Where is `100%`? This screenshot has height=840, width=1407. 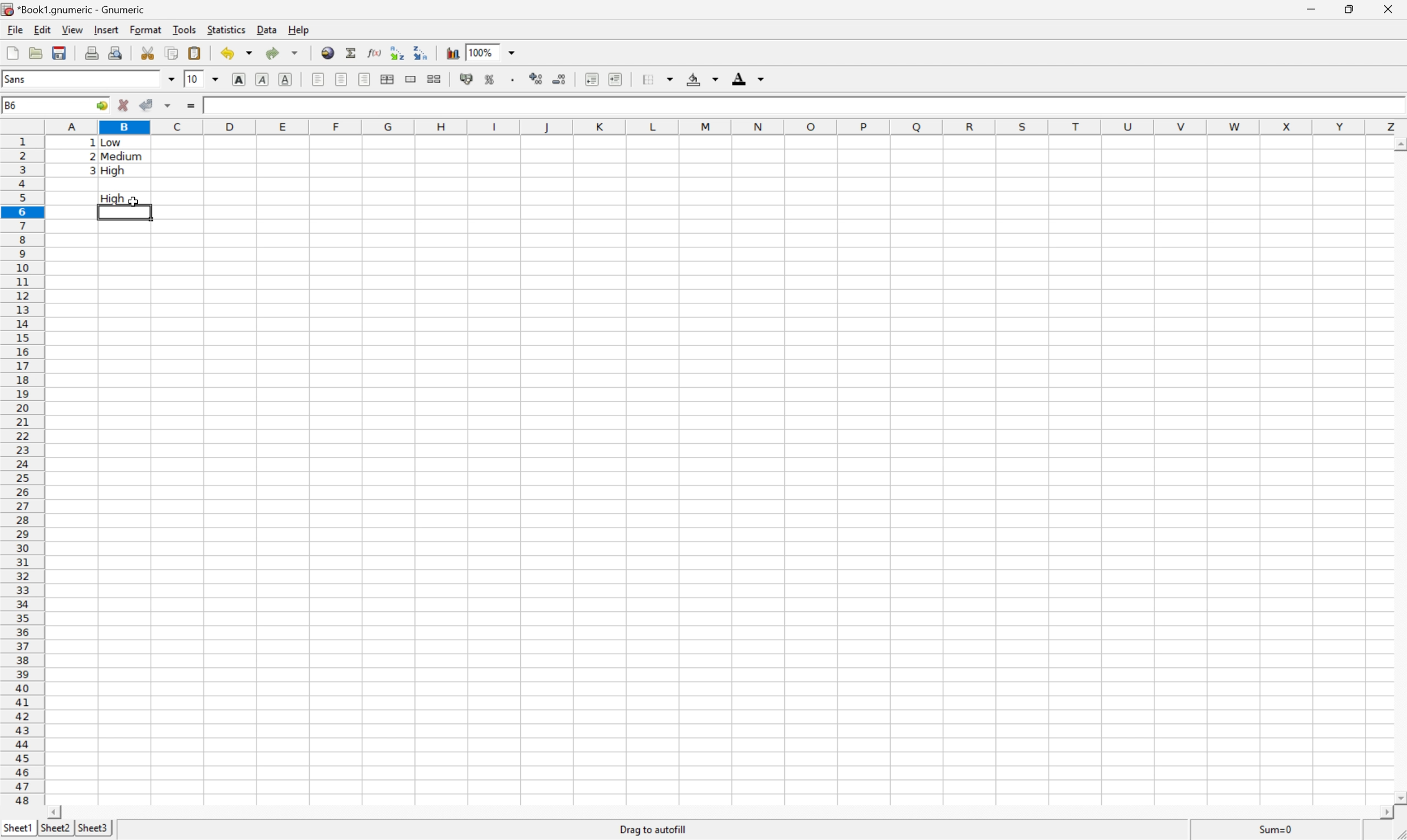
100% is located at coordinates (483, 52).